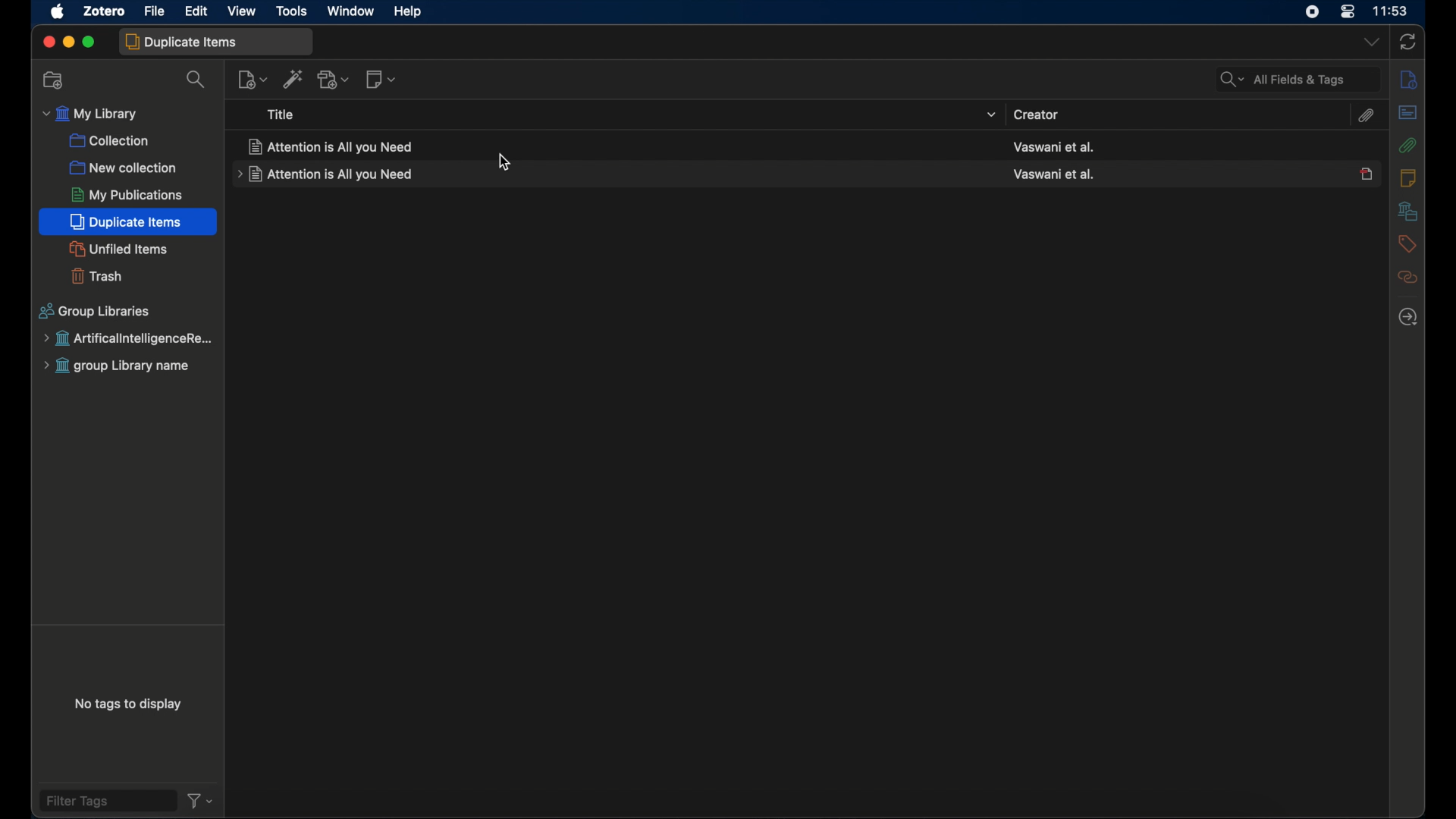 This screenshot has width=1456, height=819. I want to click on all fields and tags, so click(1297, 80).